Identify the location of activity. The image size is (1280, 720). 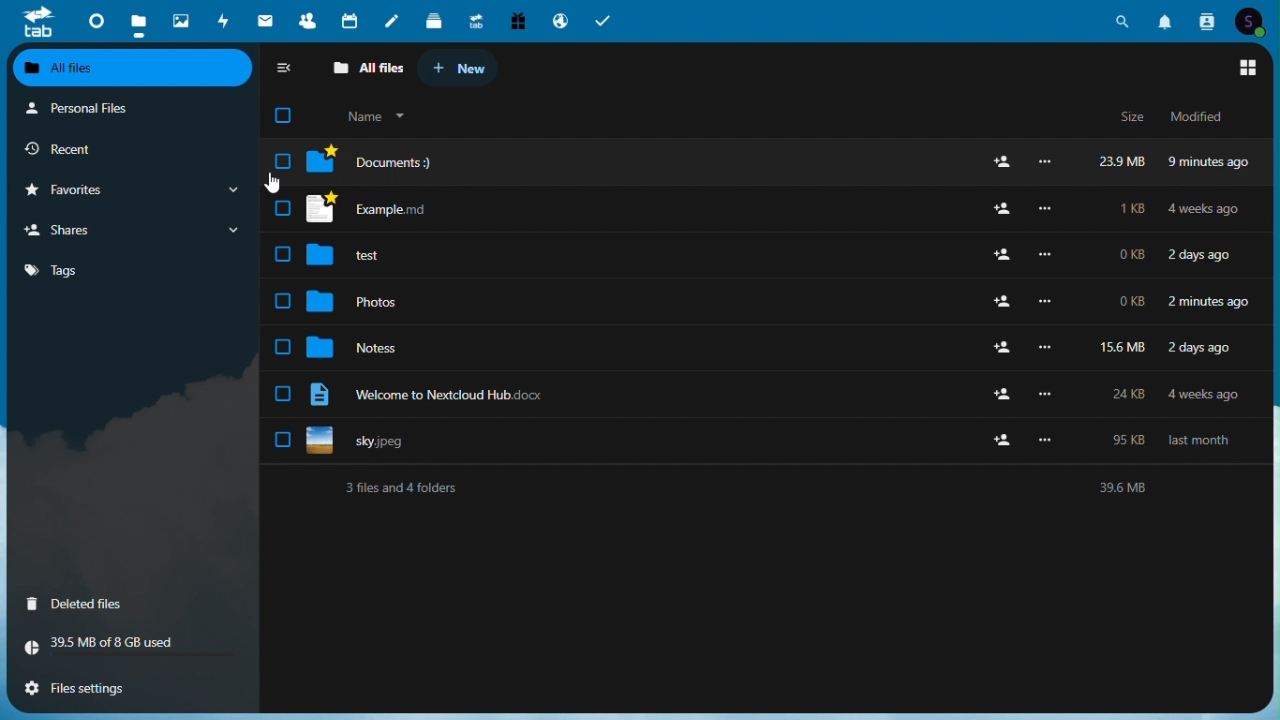
(224, 19).